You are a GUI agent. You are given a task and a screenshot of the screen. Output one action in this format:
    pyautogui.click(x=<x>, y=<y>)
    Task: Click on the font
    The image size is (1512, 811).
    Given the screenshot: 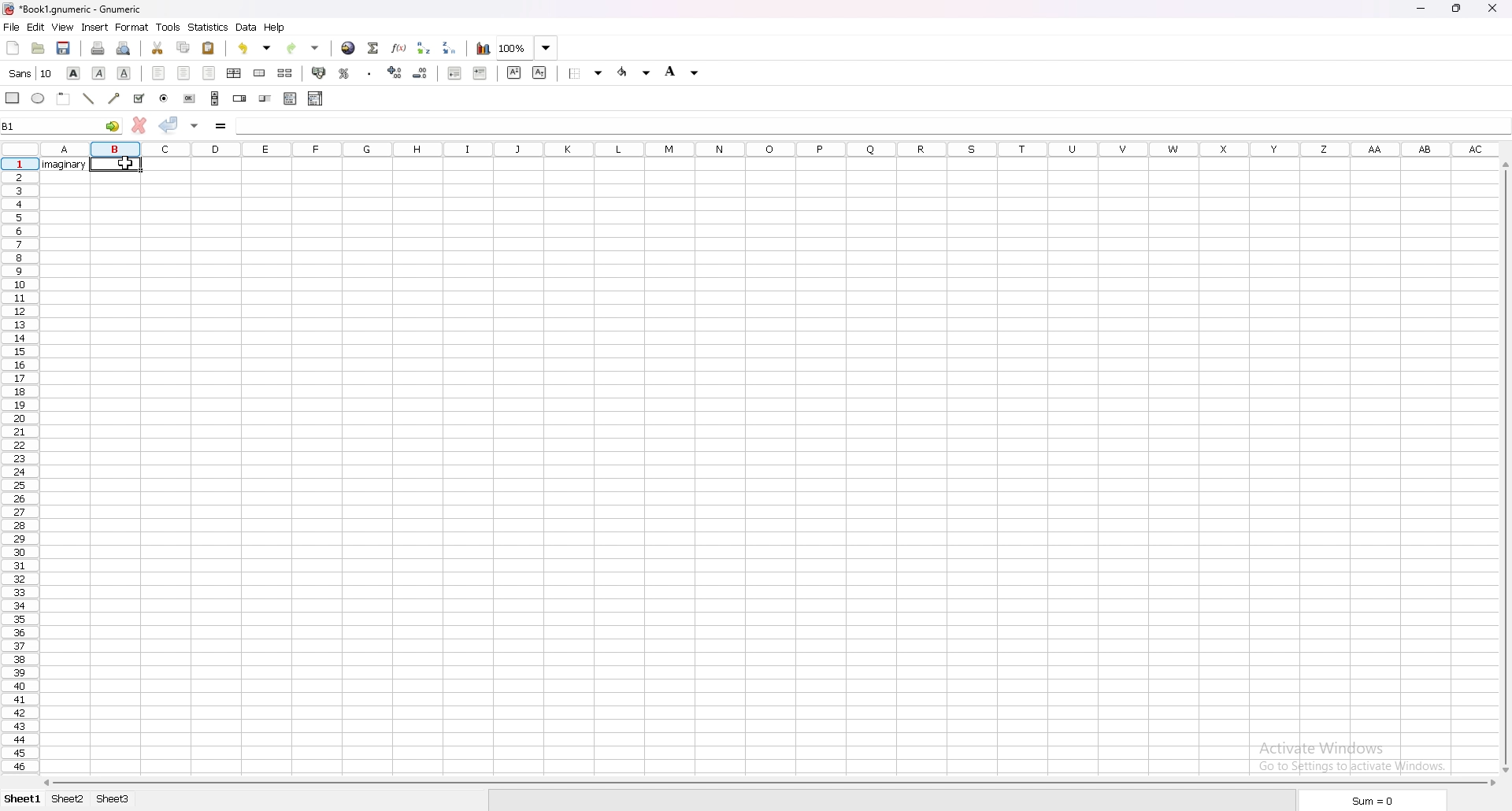 What is the action you would take?
    pyautogui.click(x=31, y=73)
    